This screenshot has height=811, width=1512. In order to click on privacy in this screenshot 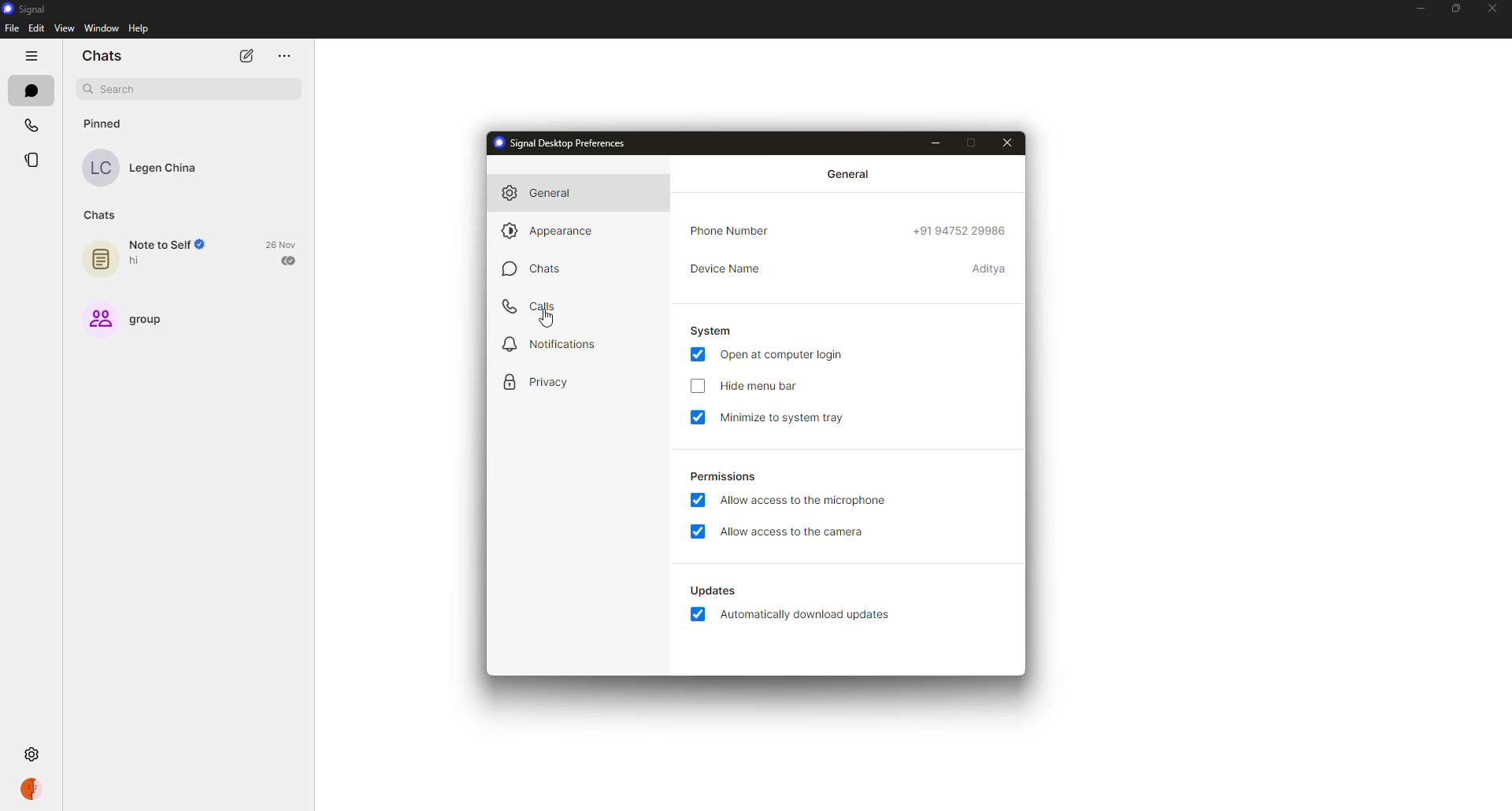, I will do `click(540, 382)`.